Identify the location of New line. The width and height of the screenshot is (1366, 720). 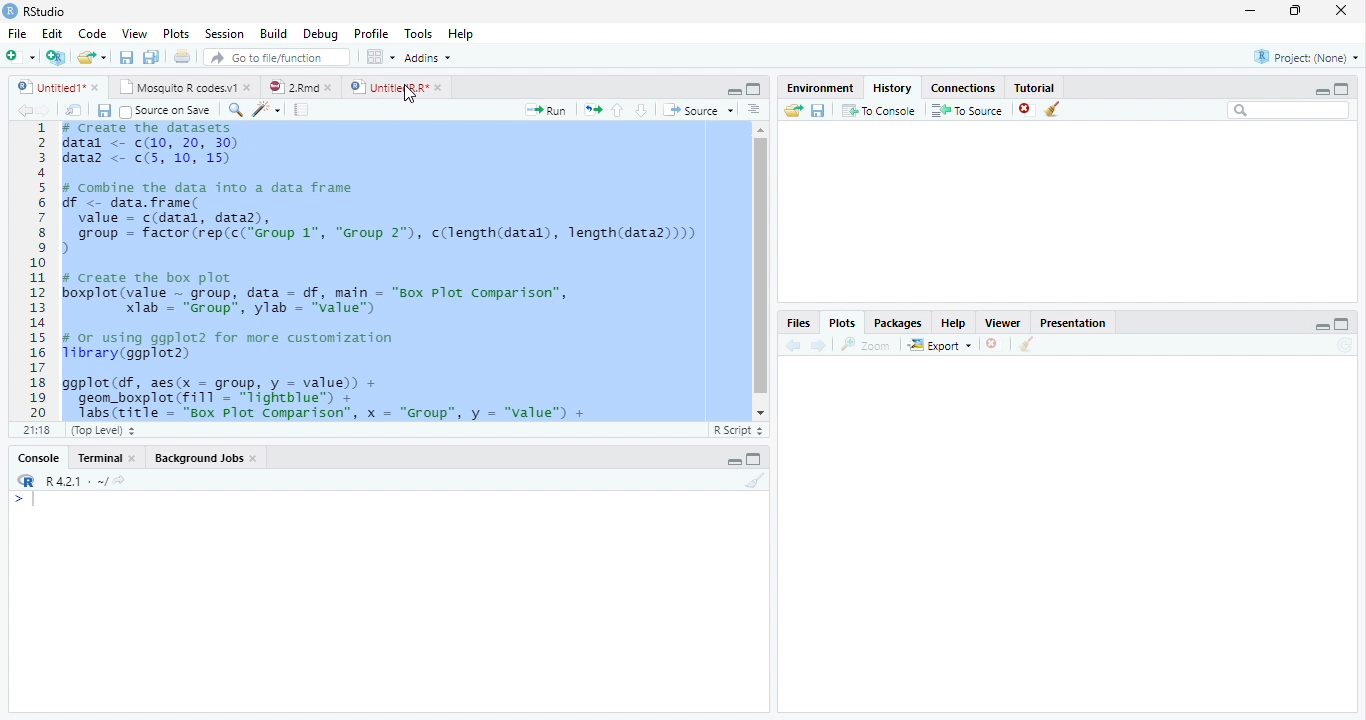
(24, 500).